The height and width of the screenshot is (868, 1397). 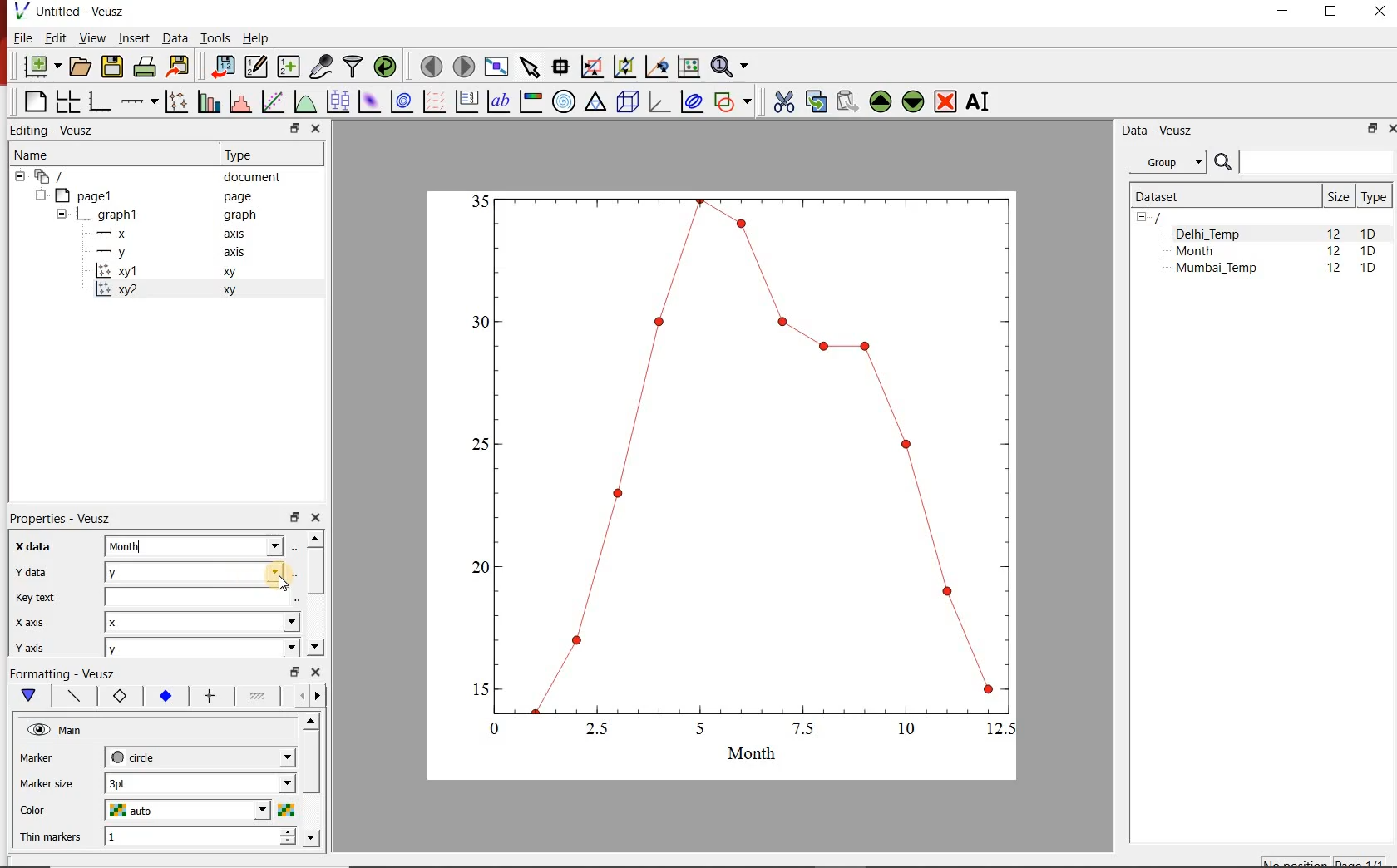 What do you see at coordinates (296, 128) in the screenshot?
I see `restore` at bounding box center [296, 128].